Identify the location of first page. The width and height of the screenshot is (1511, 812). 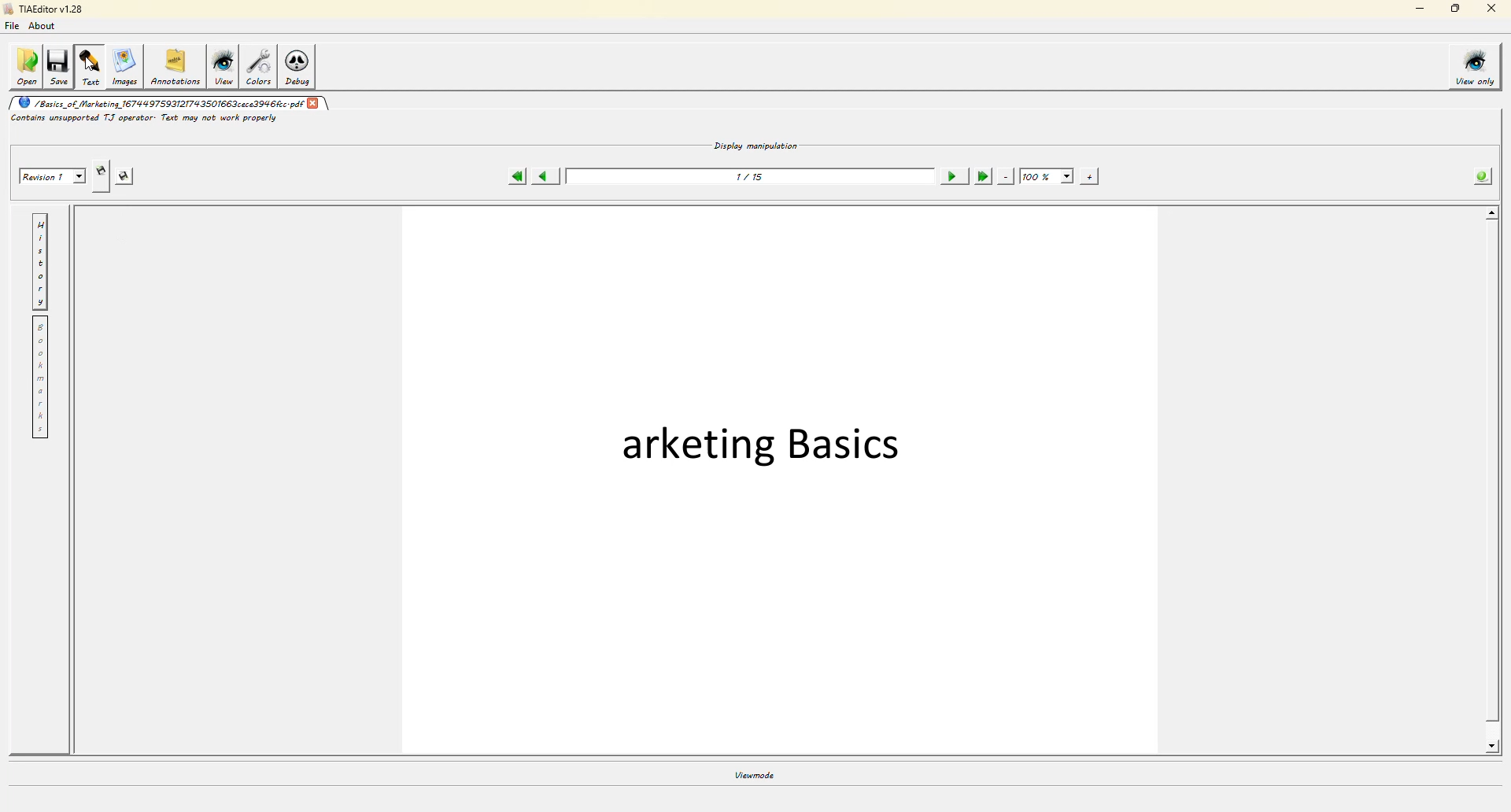
(517, 177).